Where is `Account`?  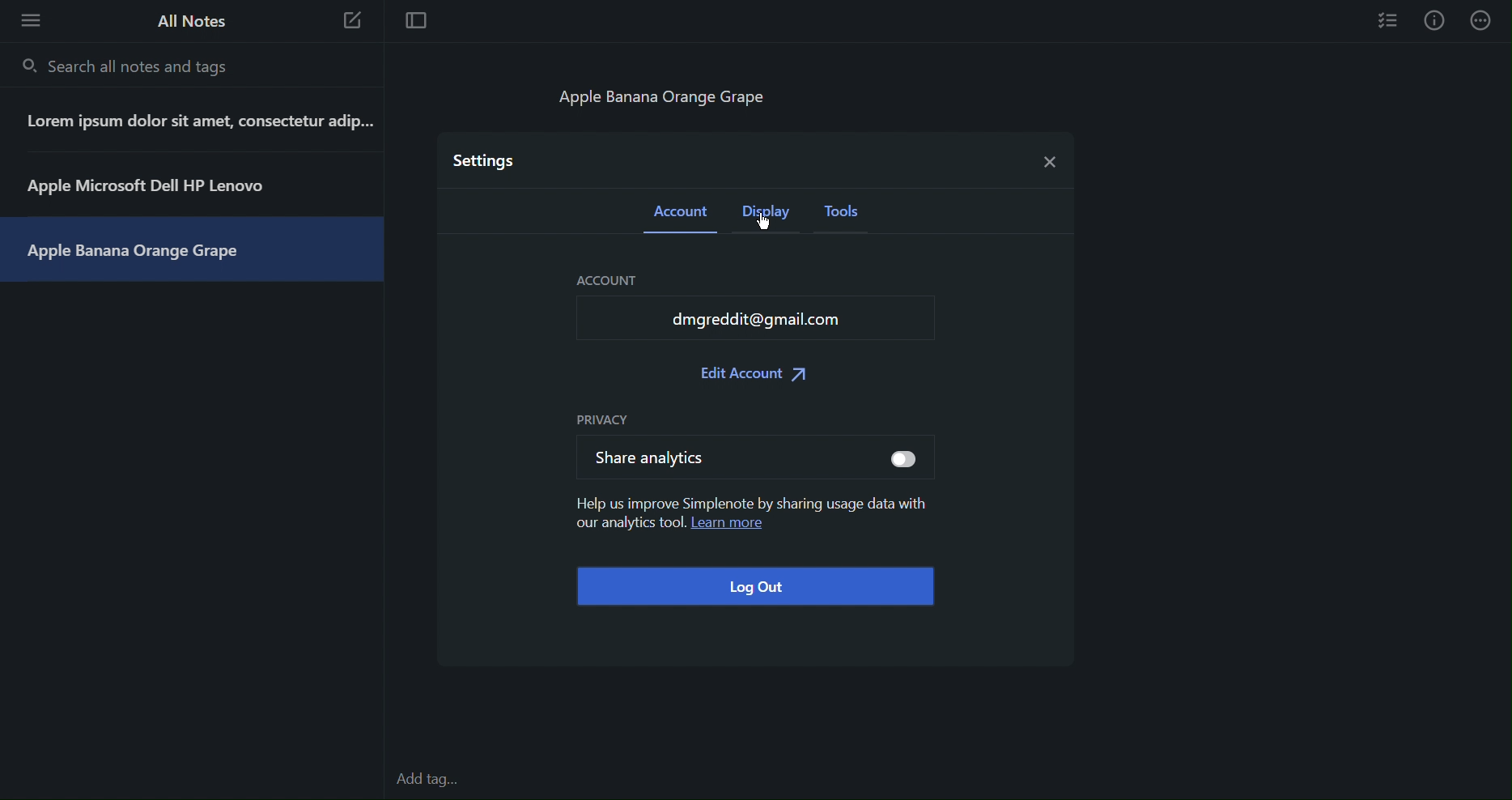 Account is located at coordinates (682, 215).